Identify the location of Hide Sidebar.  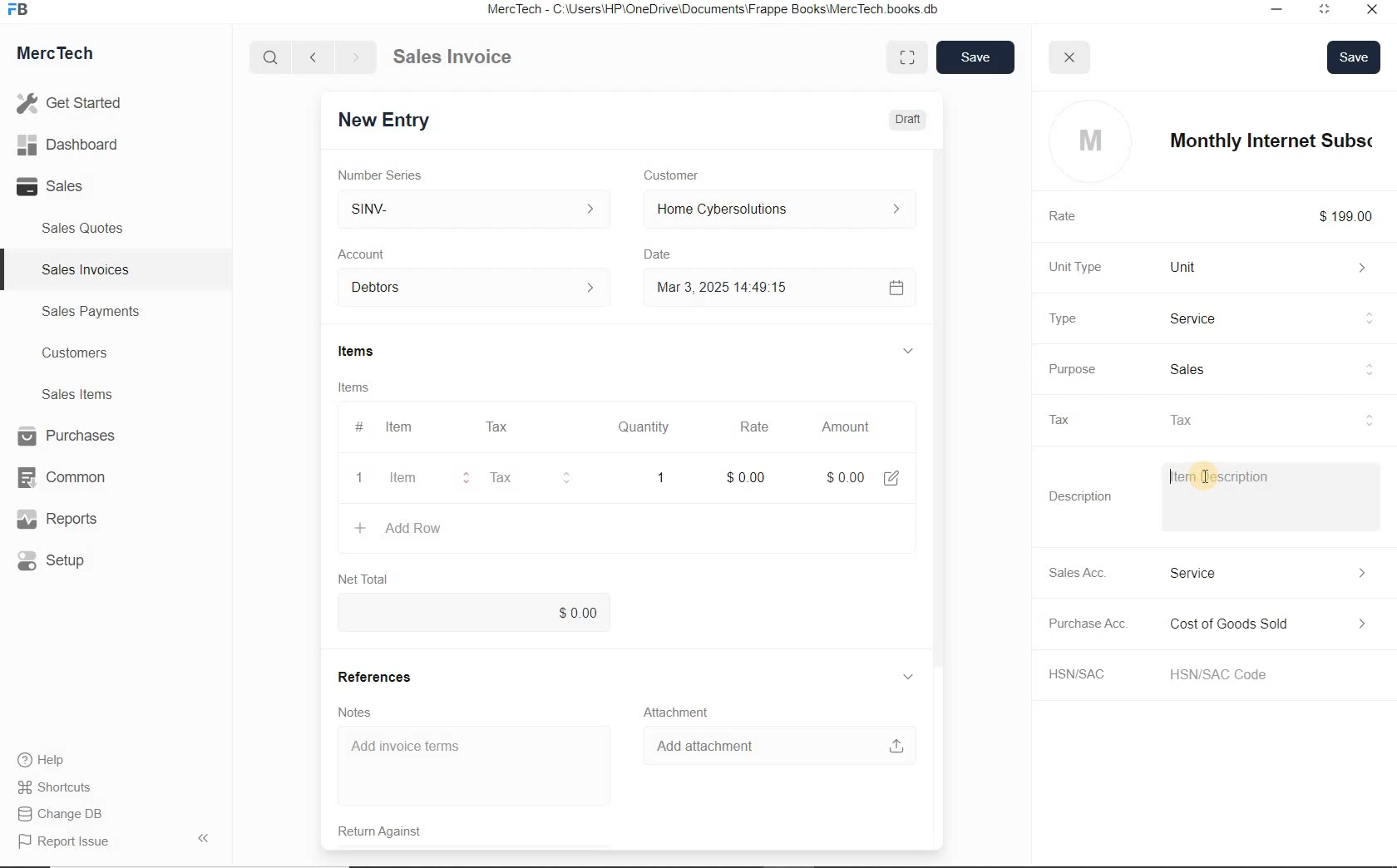
(202, 837).